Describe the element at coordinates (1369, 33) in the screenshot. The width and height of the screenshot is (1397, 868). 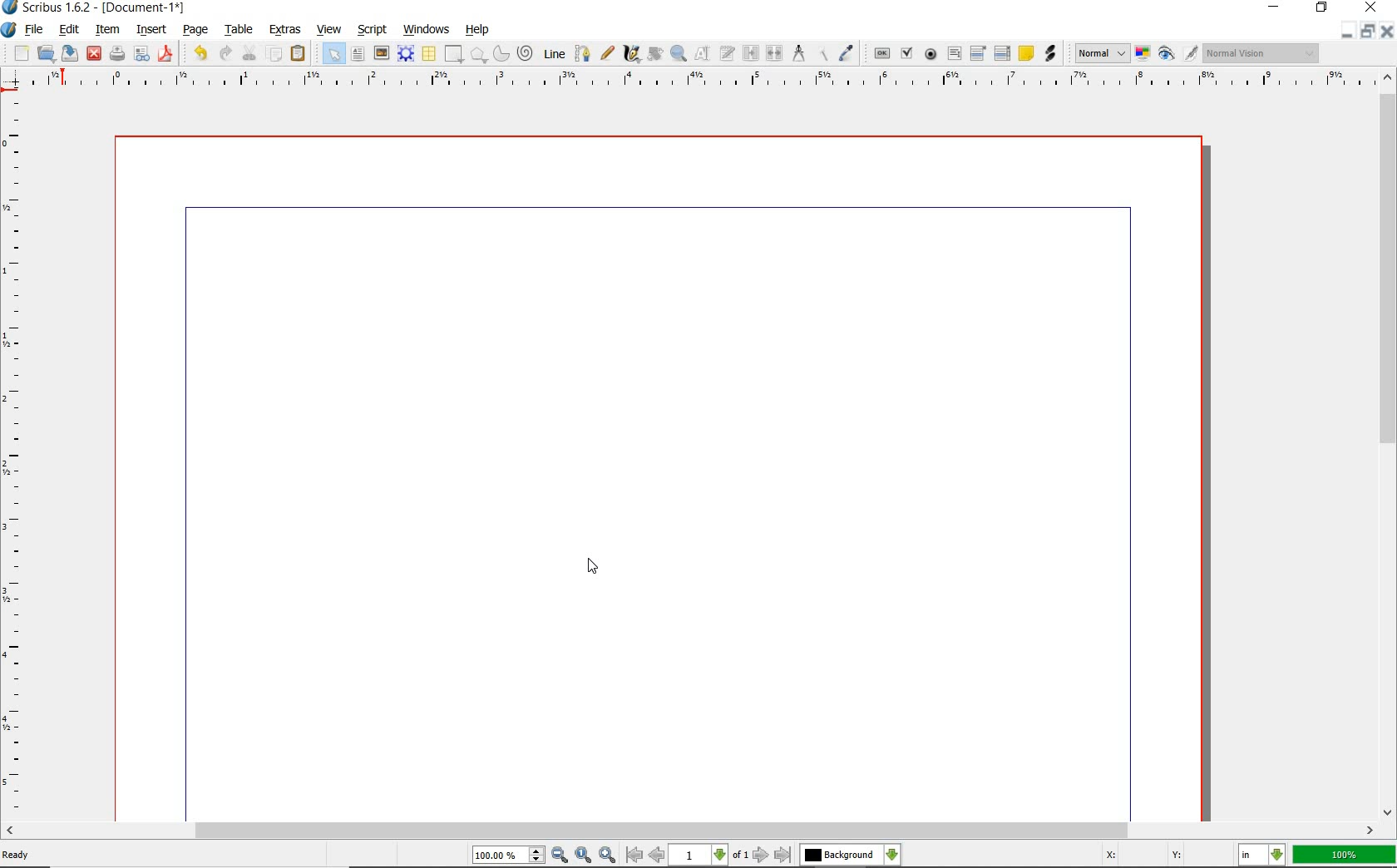
I see `restore` at that location.